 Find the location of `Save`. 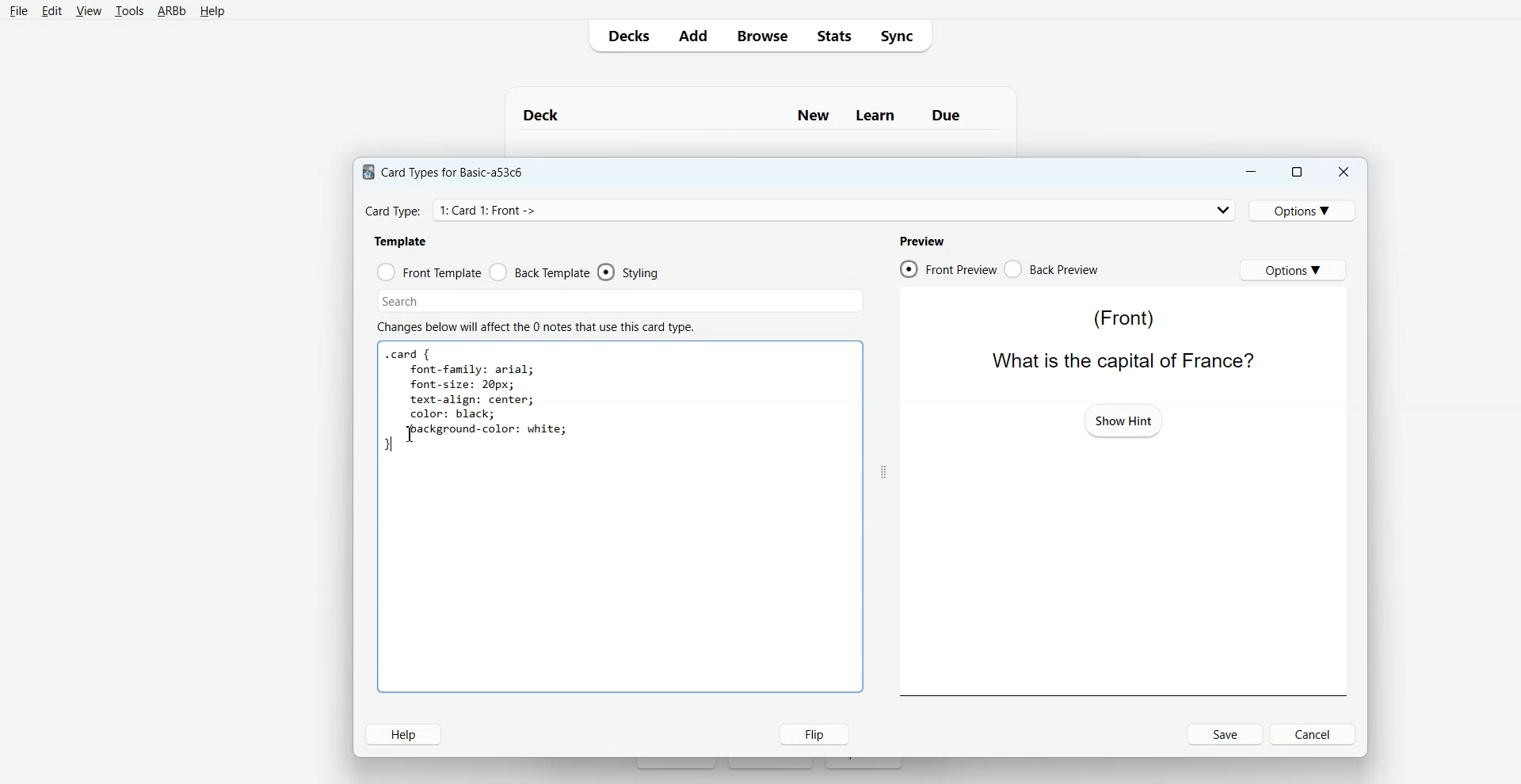

Save is located at coordinates (1226, 734).